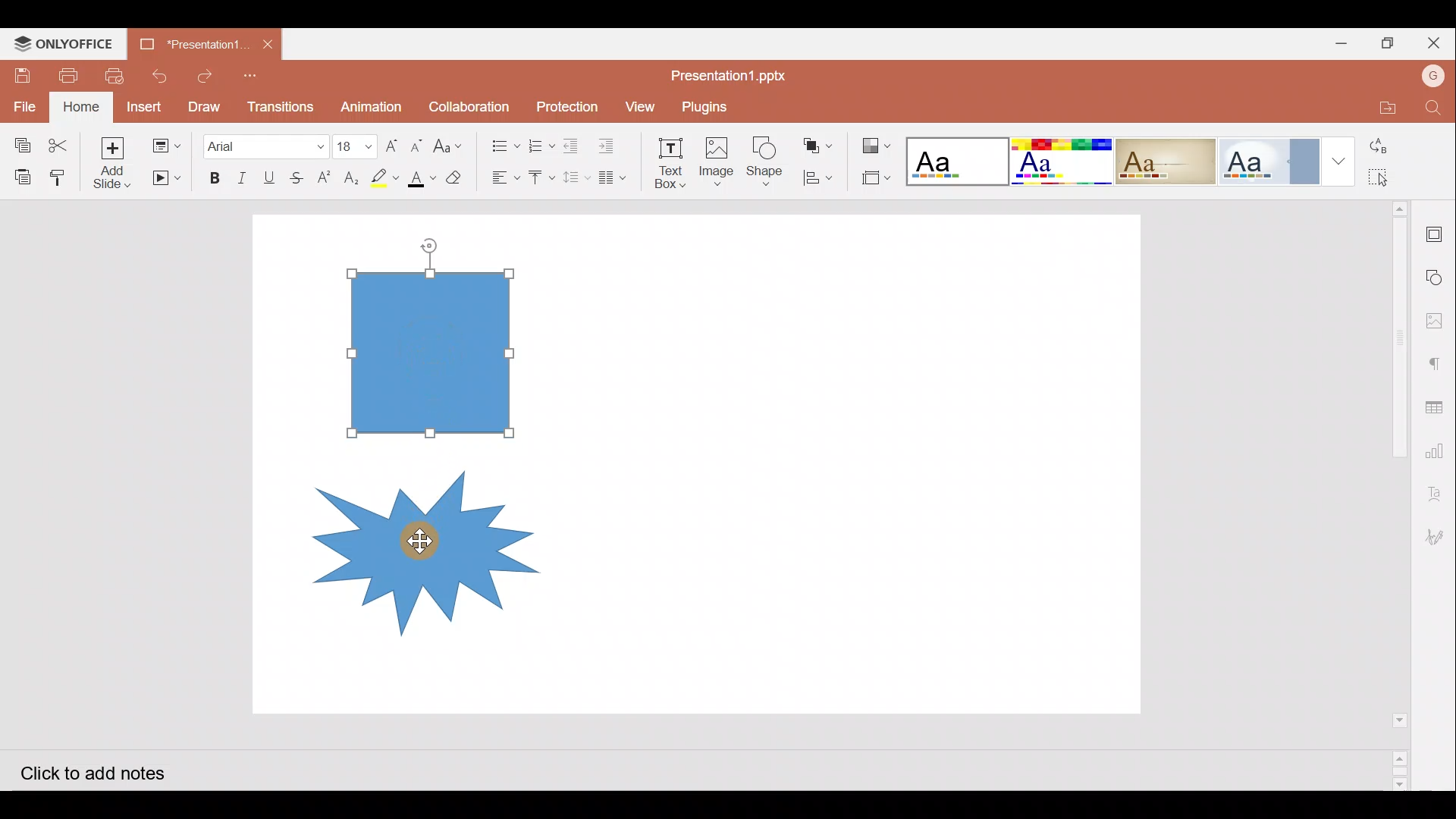 The width and height of the screenshot is (1456, 819). I want to click on Protection, so click(563, 105).